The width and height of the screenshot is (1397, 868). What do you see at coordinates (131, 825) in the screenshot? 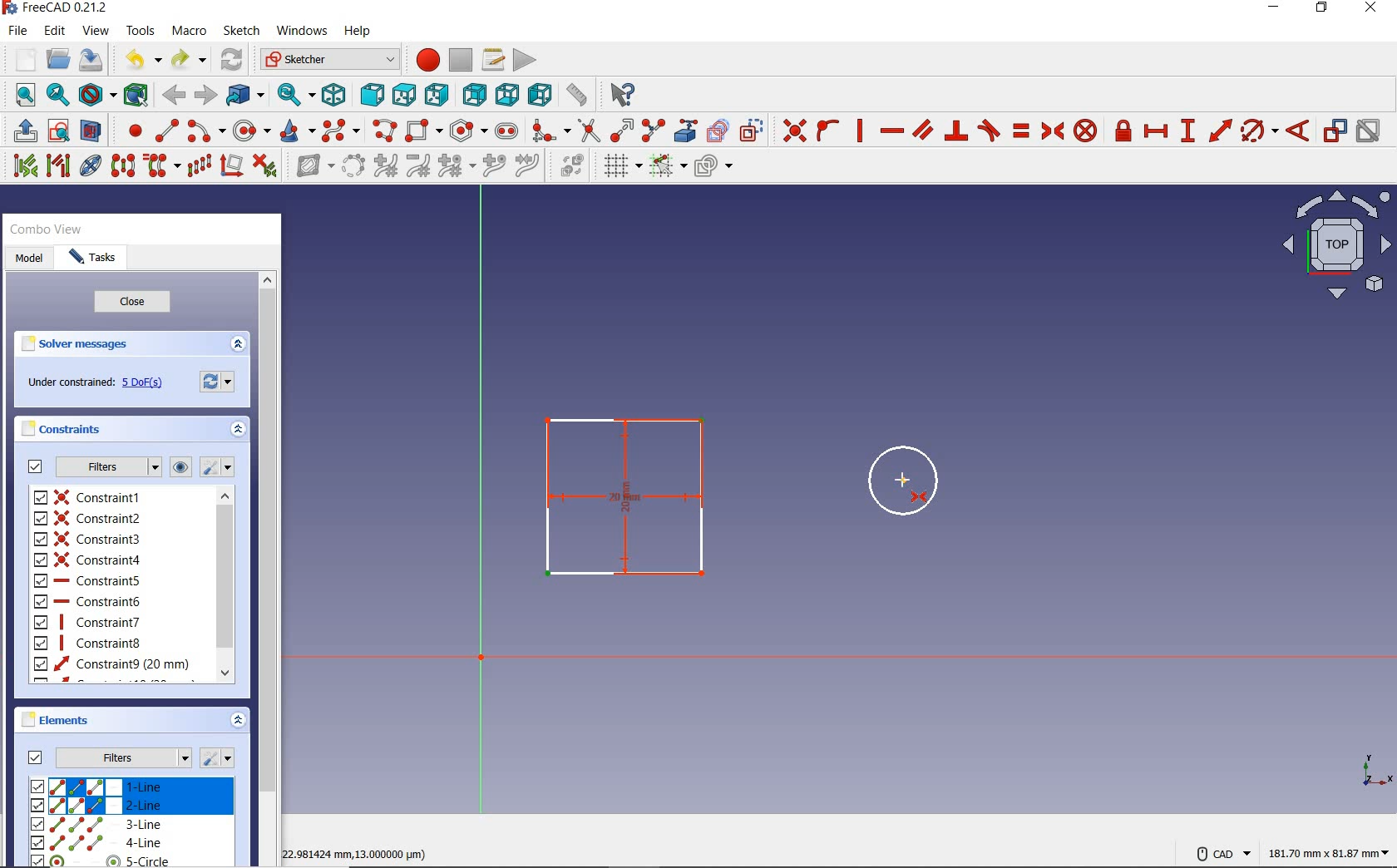
I see `3-line` at bounding box center [131, 825].